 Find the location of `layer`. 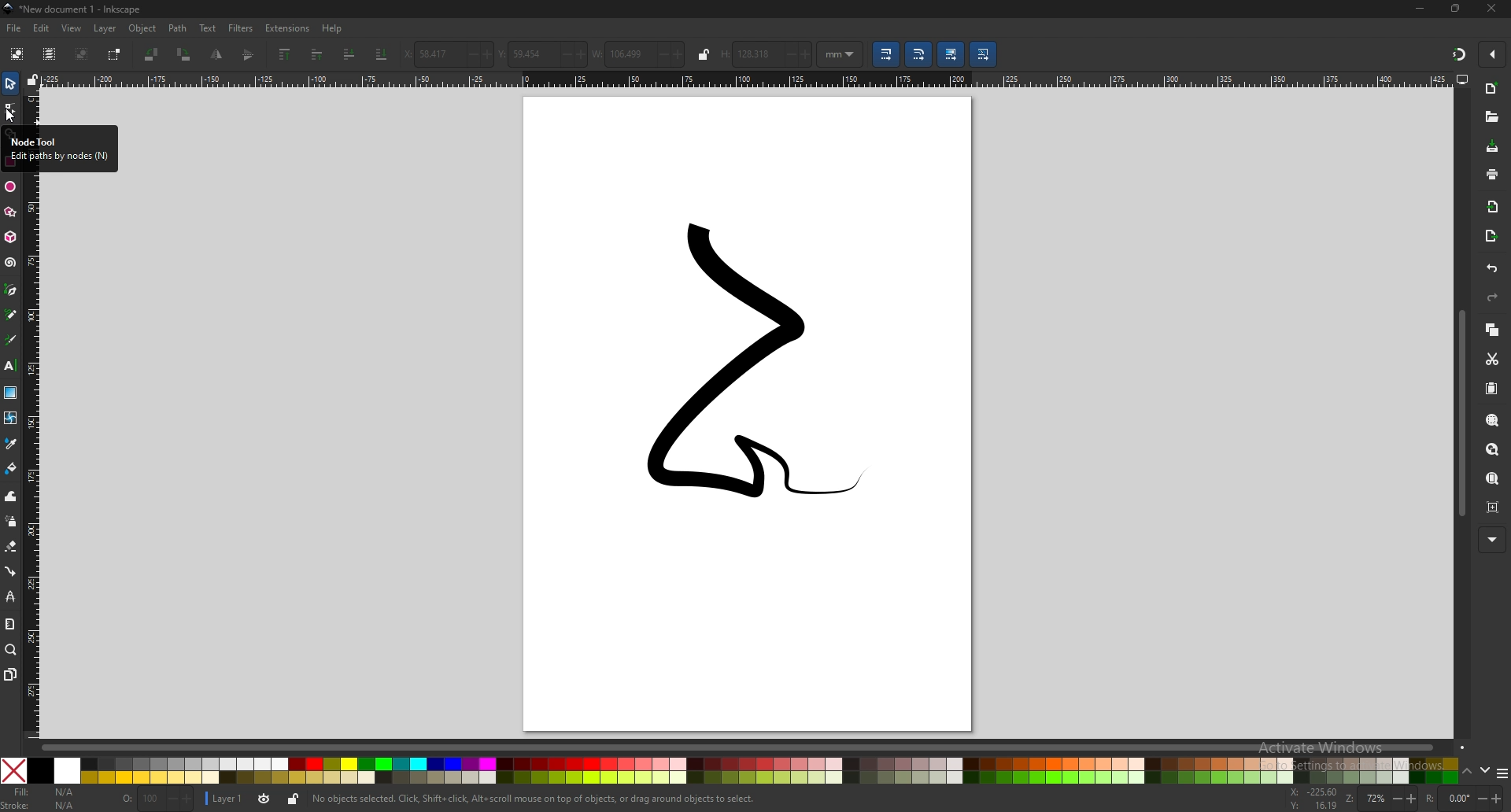

layer is located at coordinates (105, 28).